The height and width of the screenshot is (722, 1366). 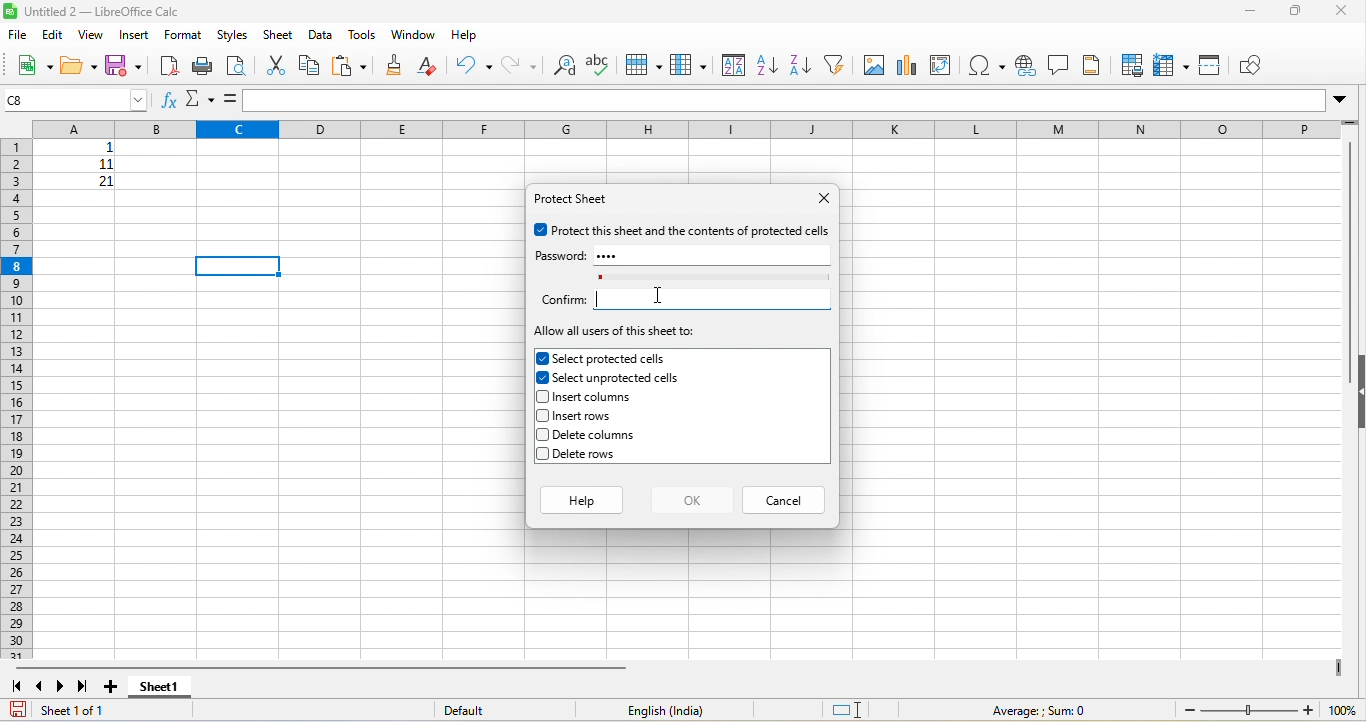 What do you see at coordinates (184, 36) in the screenshot?
I see `format` at bounding box center [184, 36].